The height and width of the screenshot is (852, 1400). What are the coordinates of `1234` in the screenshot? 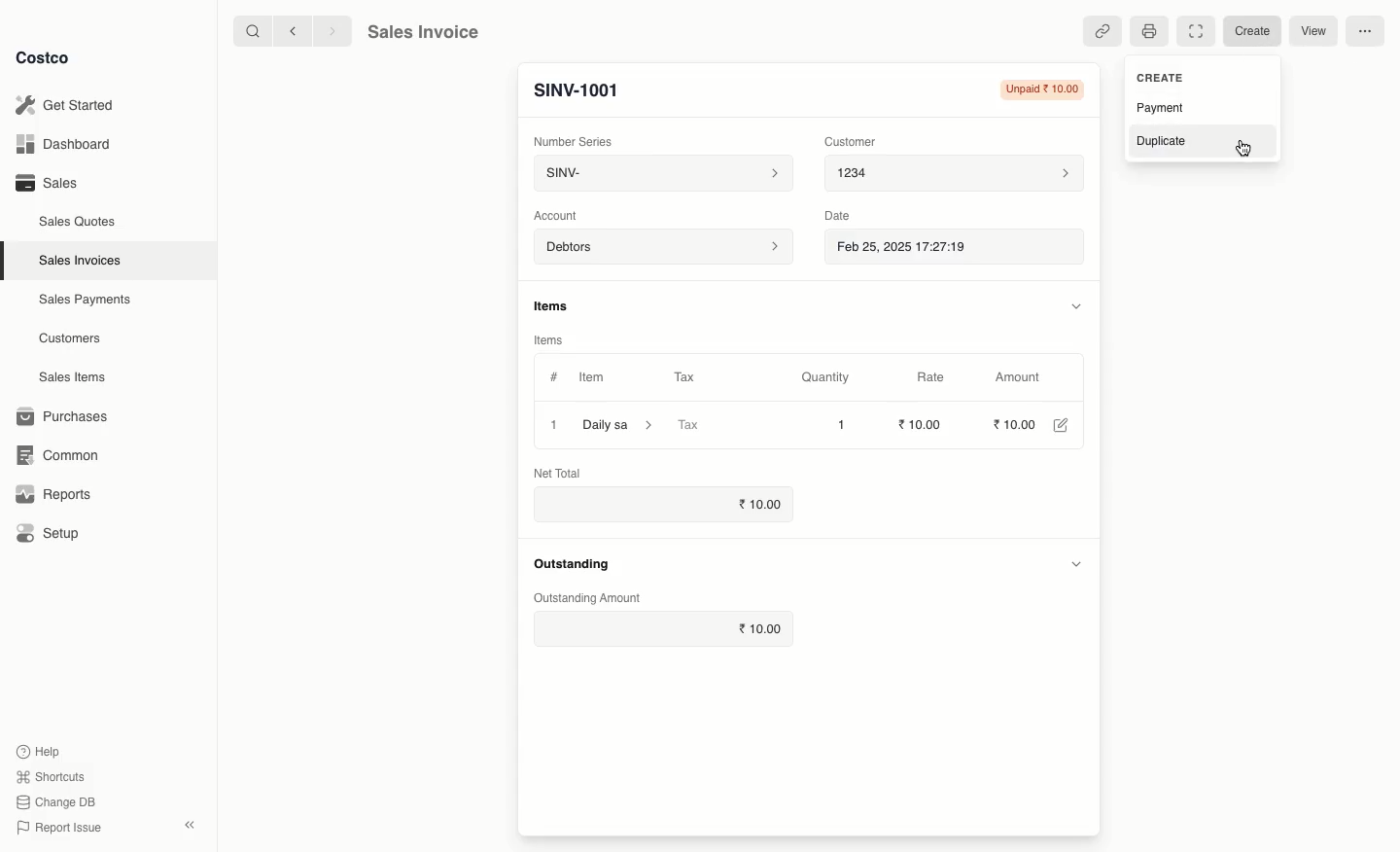 It's located at (956, 176).